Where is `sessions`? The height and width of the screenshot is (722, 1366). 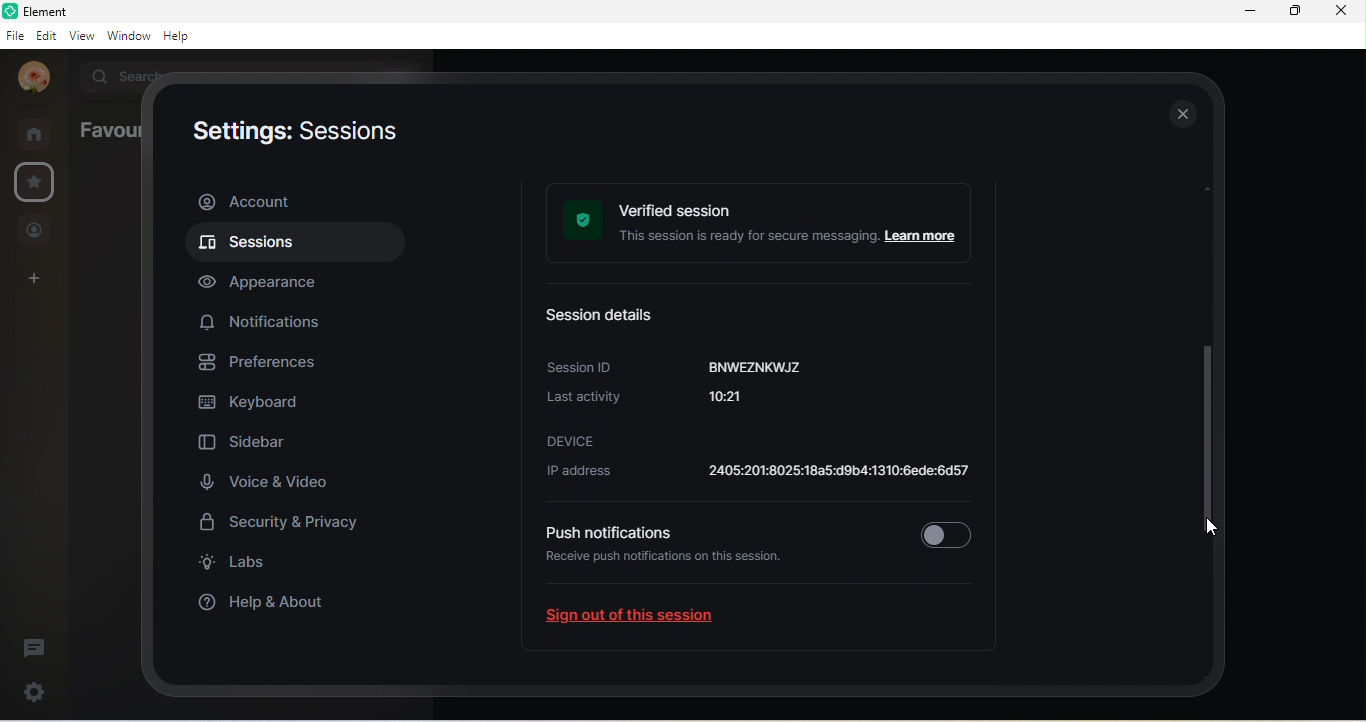 sessions is located at coordinates (291, 245).